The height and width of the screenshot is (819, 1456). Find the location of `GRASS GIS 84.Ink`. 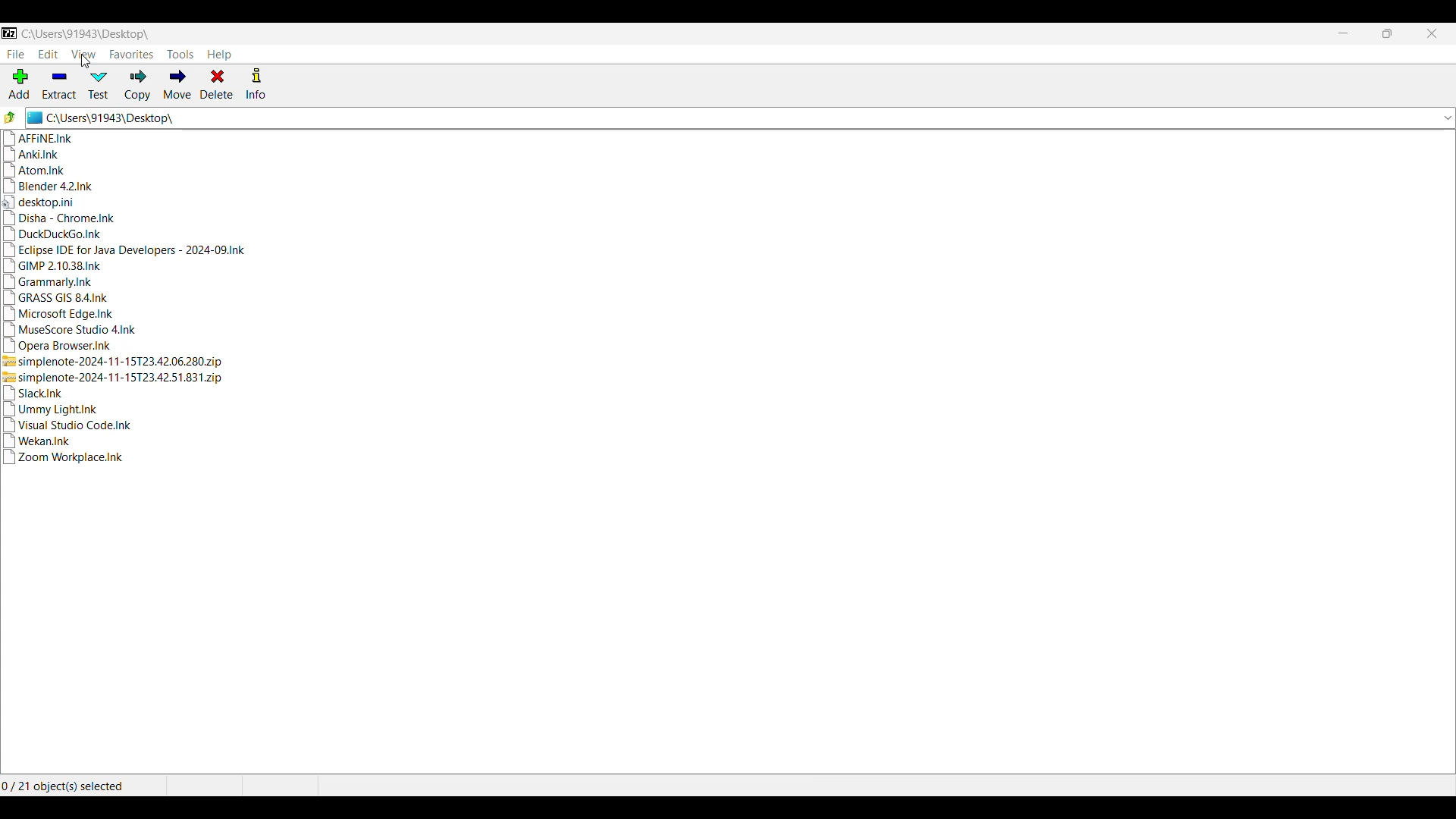

GRASS GIS 84.Ink is located at coordinates (57, 298).